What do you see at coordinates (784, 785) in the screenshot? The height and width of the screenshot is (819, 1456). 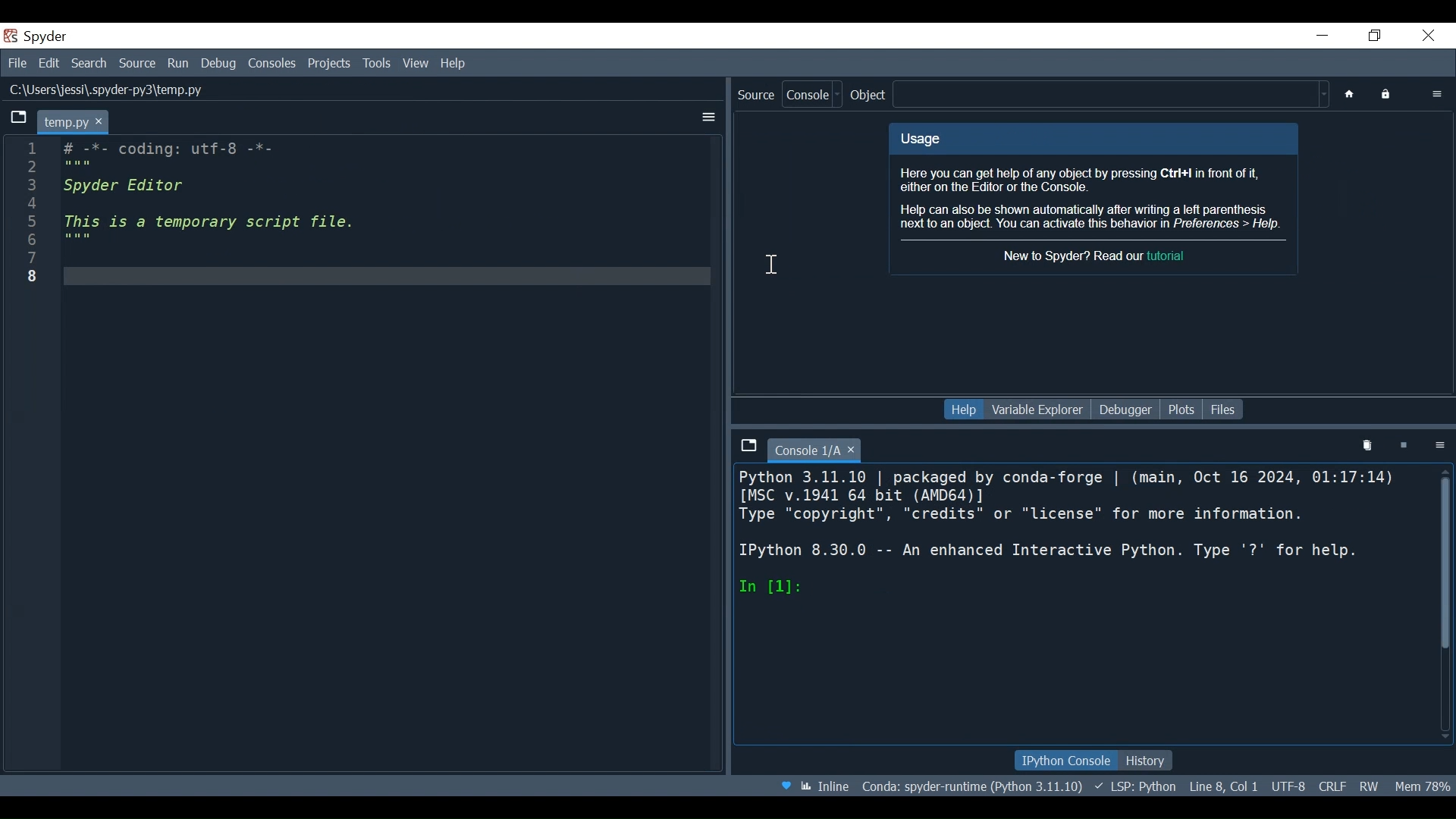 I see `Help Spyder` at bounding box center [784, 785].